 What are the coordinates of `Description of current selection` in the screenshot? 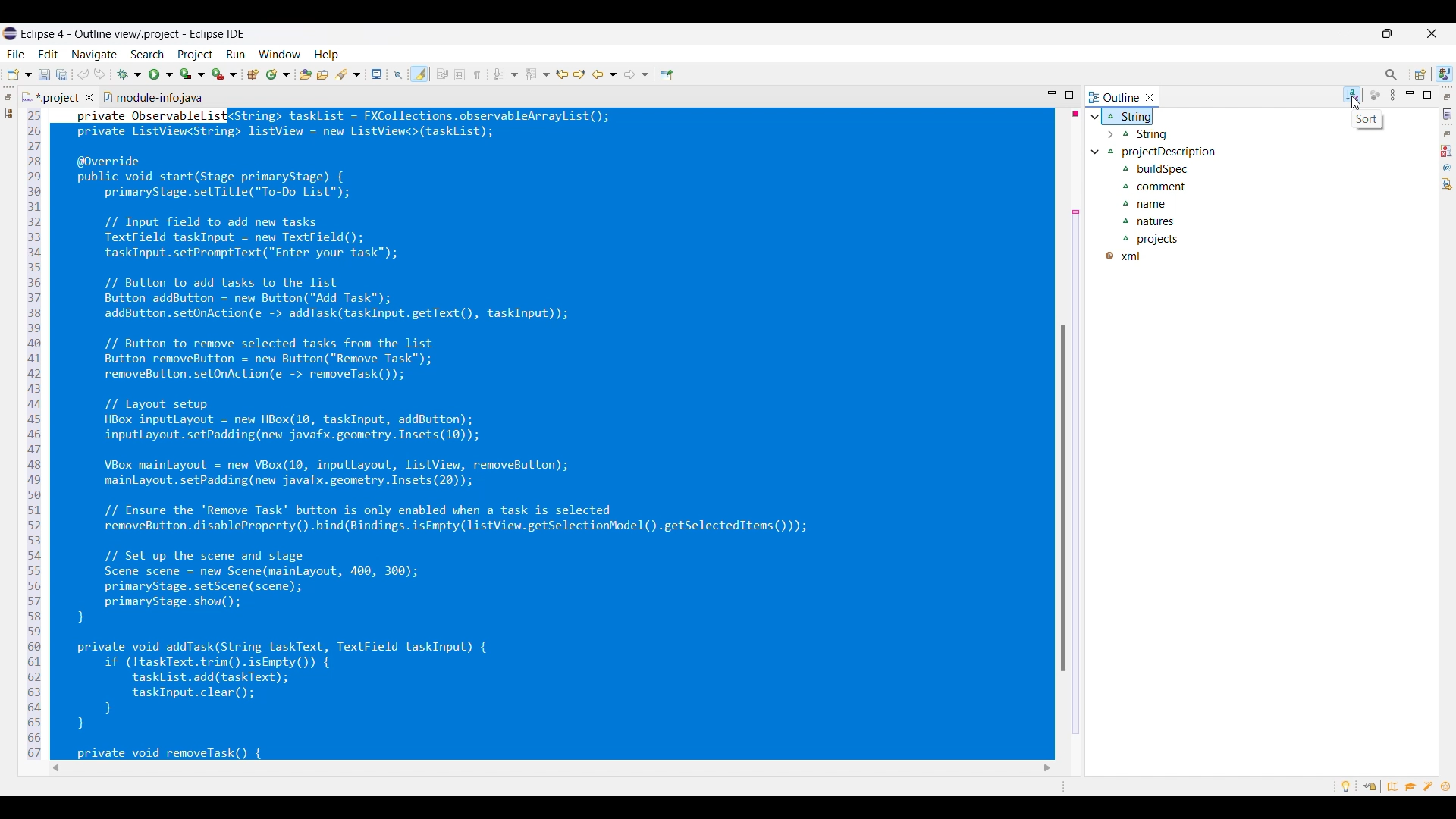 It's located at (1367, 119).